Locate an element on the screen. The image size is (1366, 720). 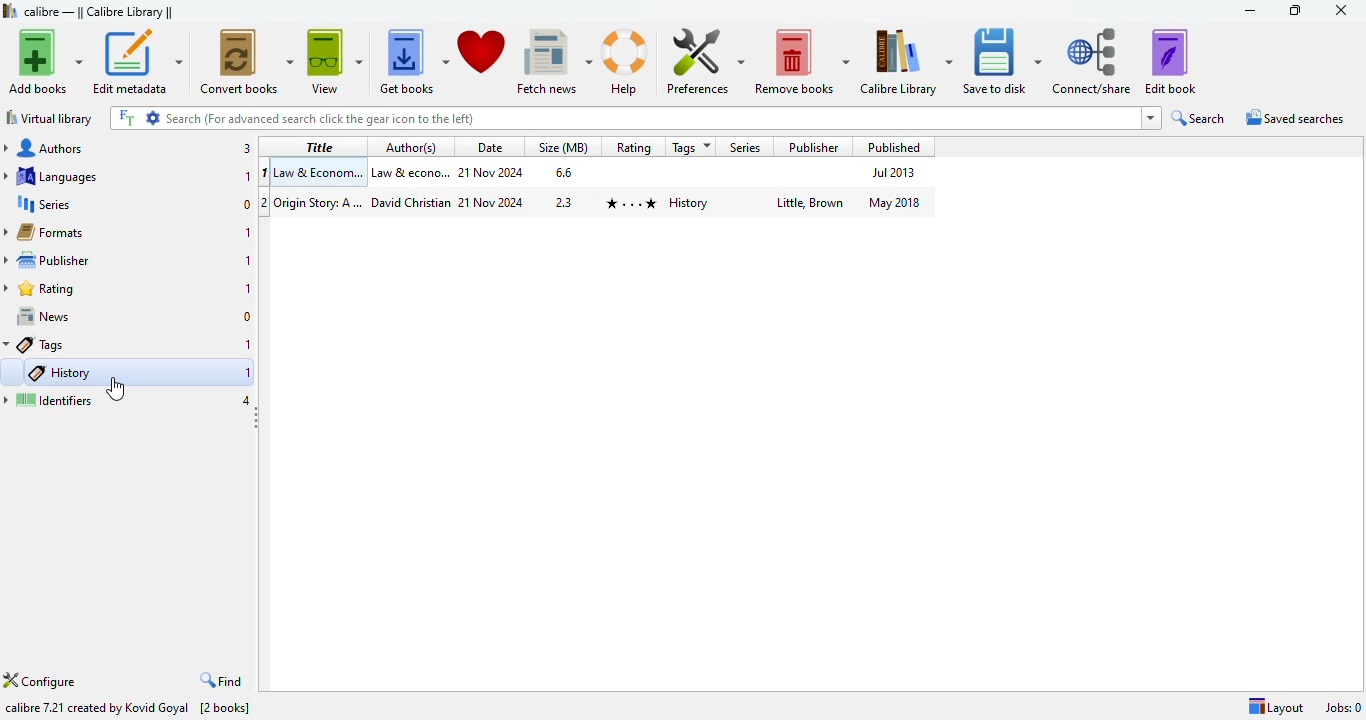
rating is located at coordinates (41, 289).